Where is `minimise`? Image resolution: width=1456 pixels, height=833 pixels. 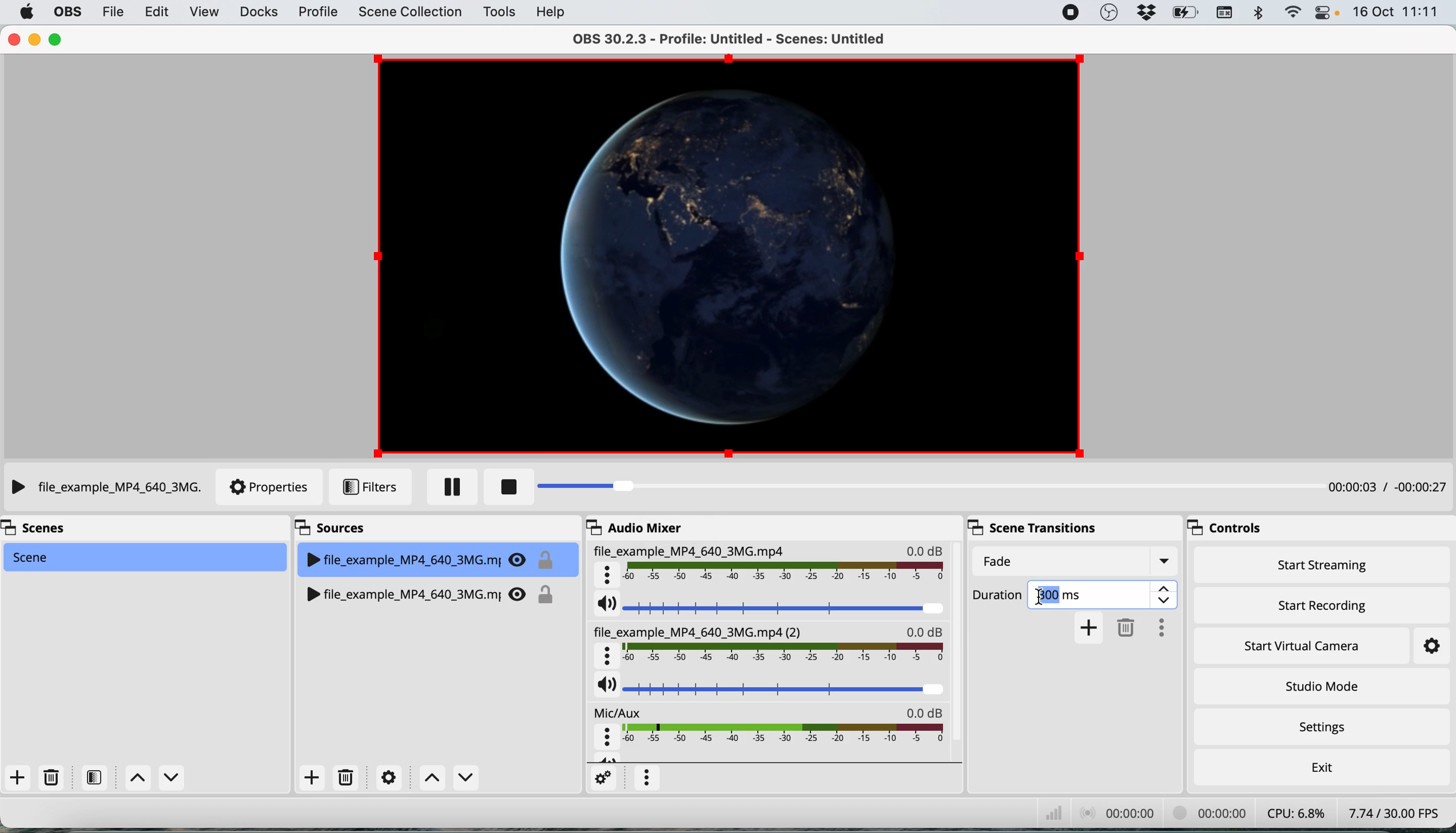 minimise is located at coordinates (34, 39).